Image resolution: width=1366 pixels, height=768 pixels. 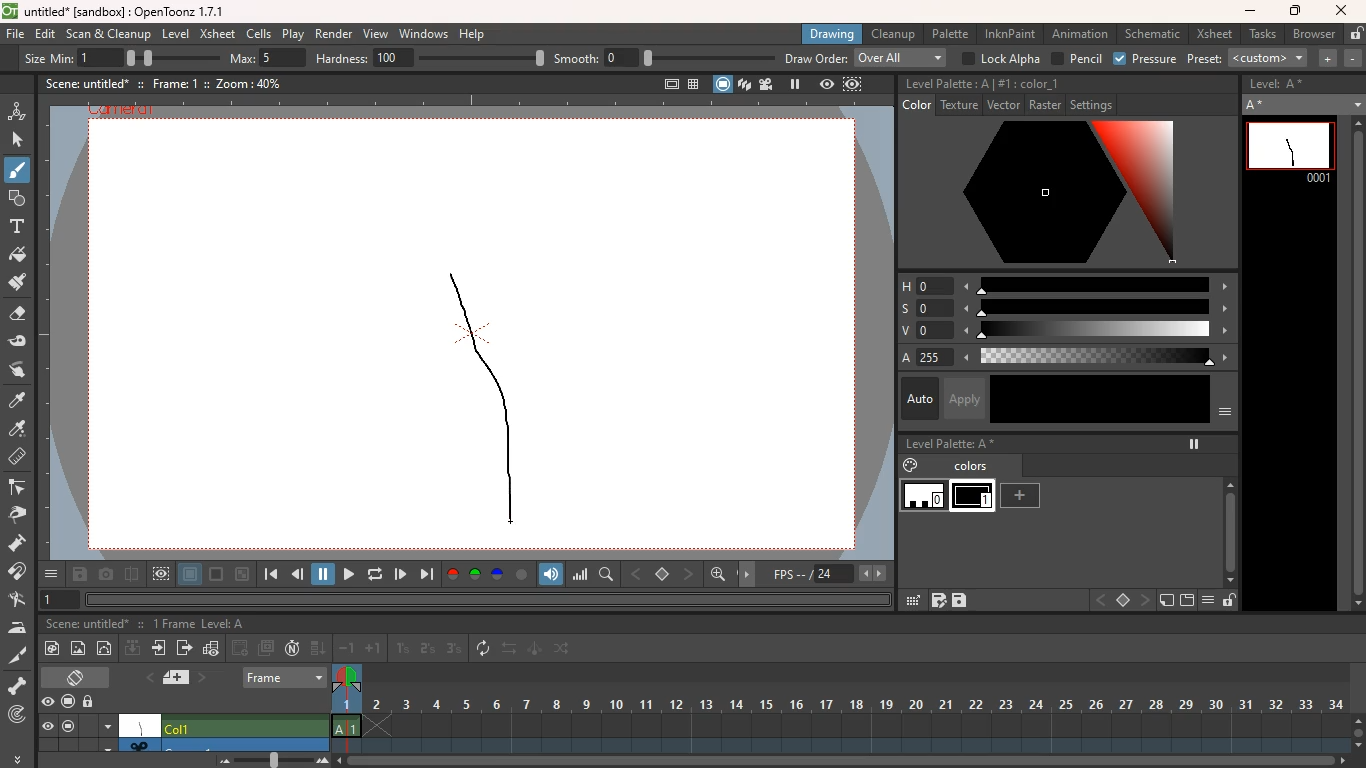 I want to click on h, so click(x=919, y=286).